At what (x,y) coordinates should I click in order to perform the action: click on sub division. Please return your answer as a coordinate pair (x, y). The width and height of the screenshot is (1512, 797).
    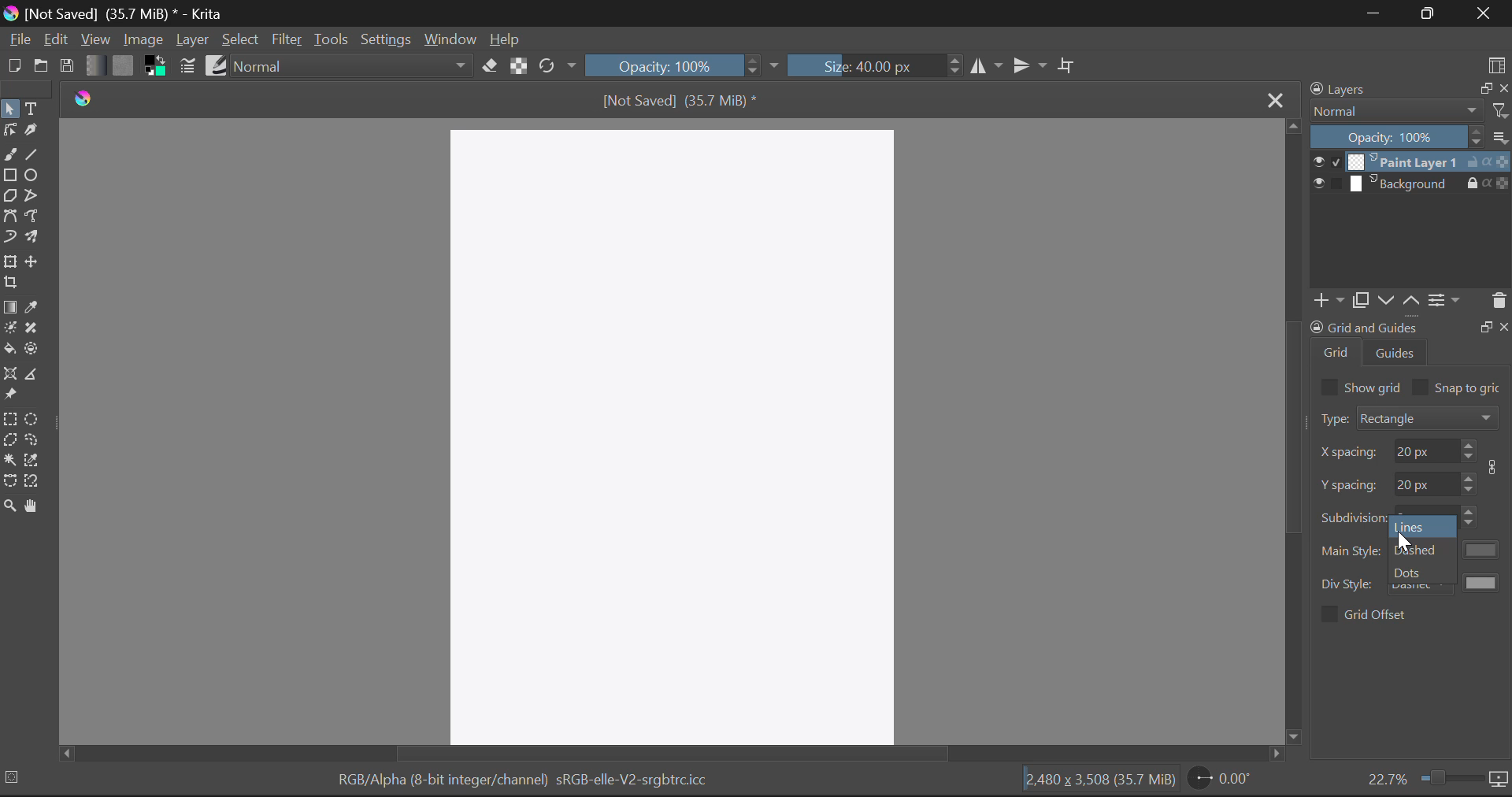
    Looking at the image, I should click on (1353, 516).